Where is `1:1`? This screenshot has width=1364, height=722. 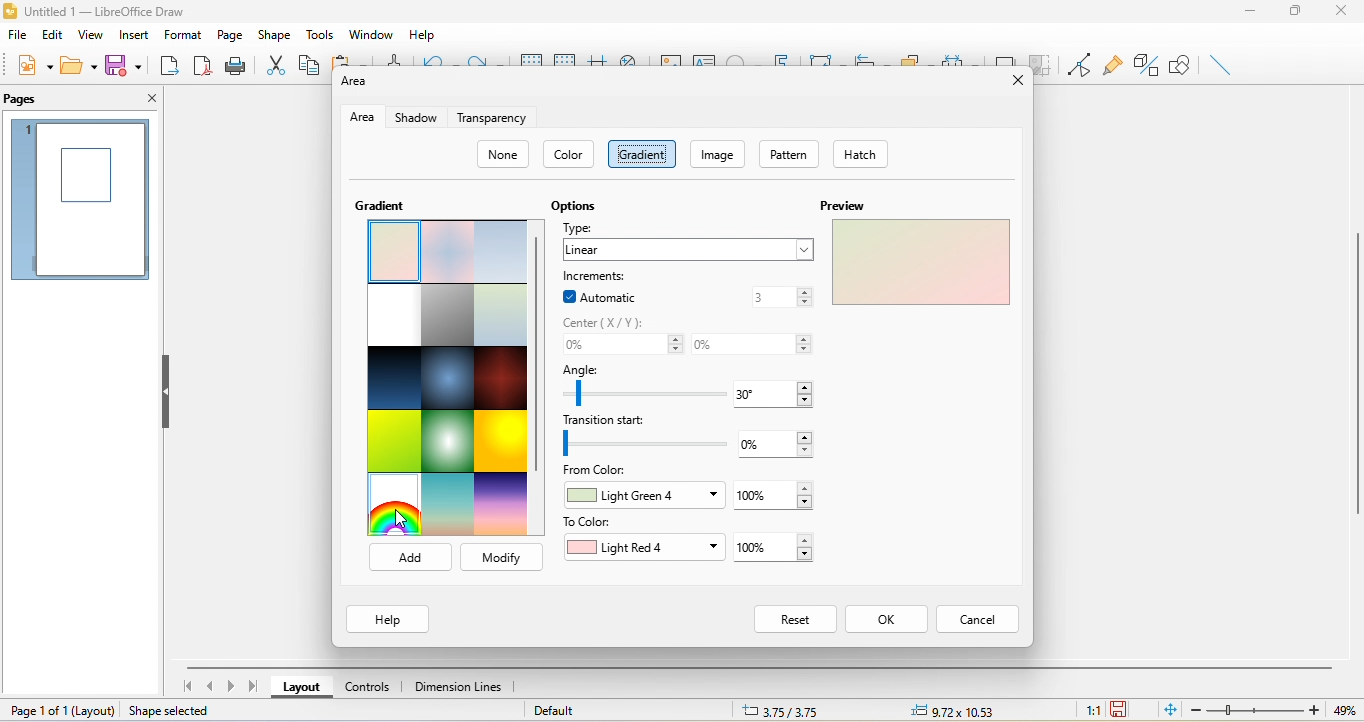
1:1 is located at coordinates (1091, 711).